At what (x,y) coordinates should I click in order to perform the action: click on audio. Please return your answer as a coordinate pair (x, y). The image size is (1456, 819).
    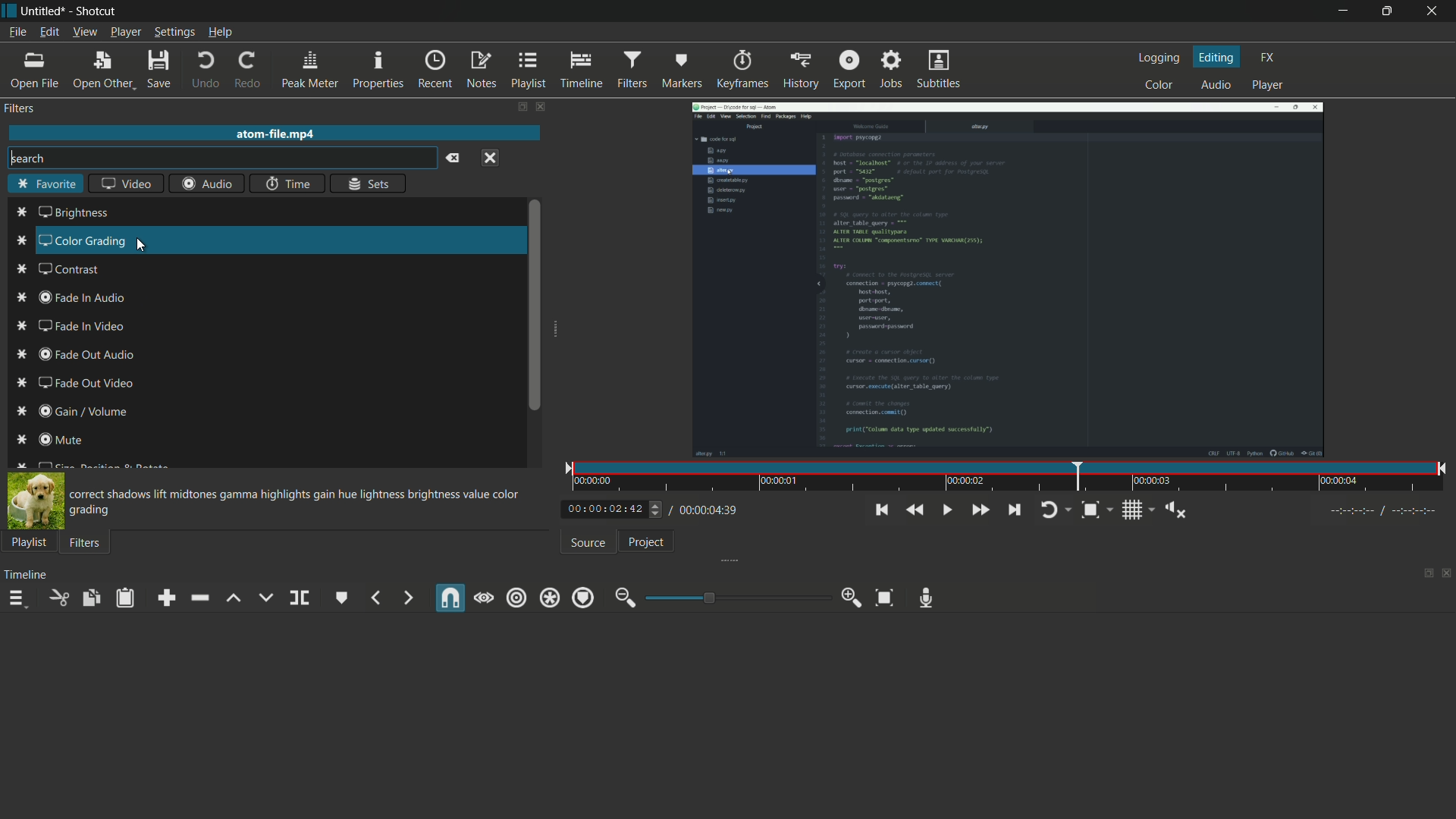
    Looking at the image, I should click on (1213, 86).